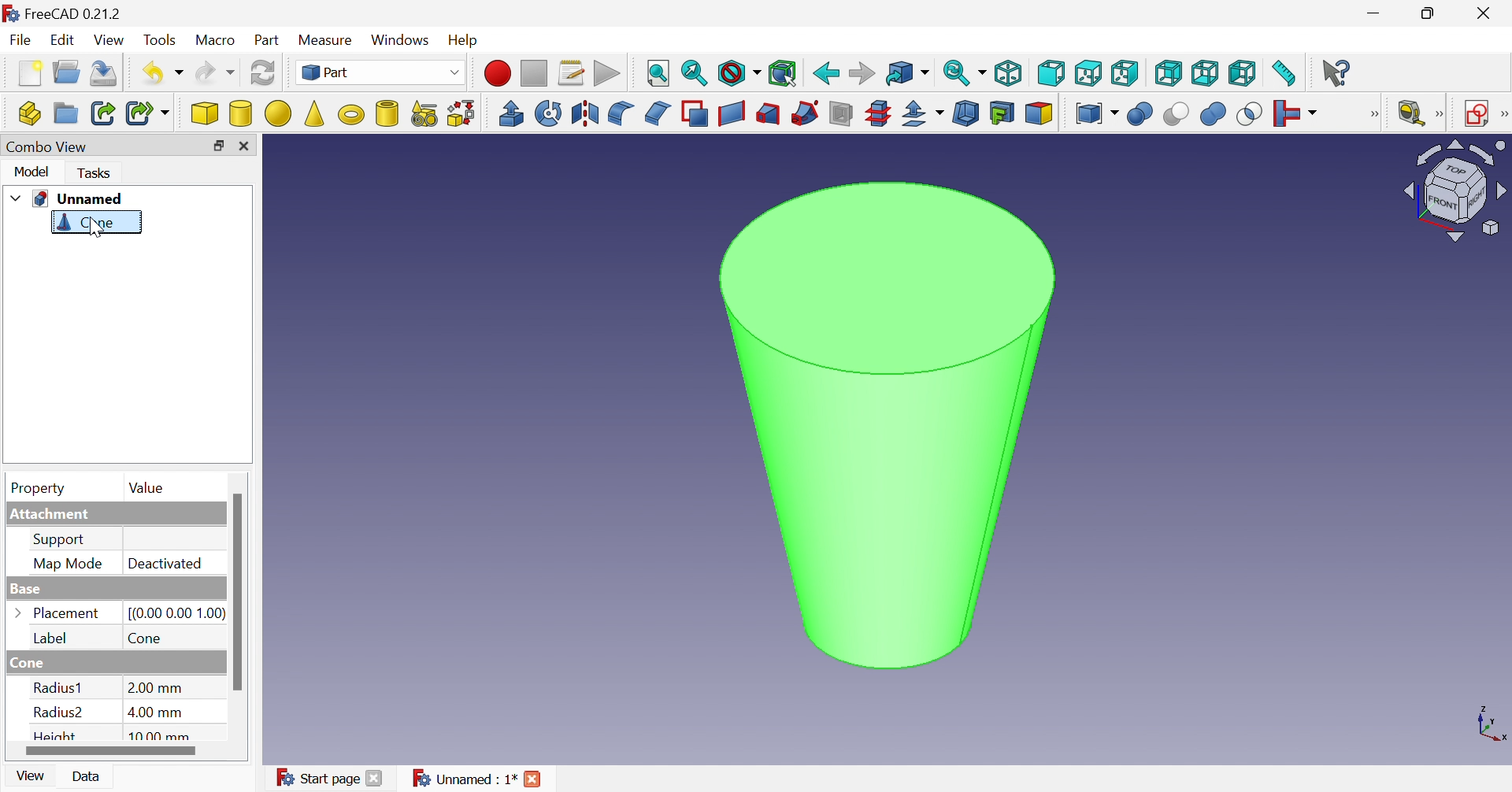 This screenshot has height=792, width=1512. What do you see at coordinates (422, 113) in the screenshot?
I see `Create primitives` at bounding box center [422, 113].